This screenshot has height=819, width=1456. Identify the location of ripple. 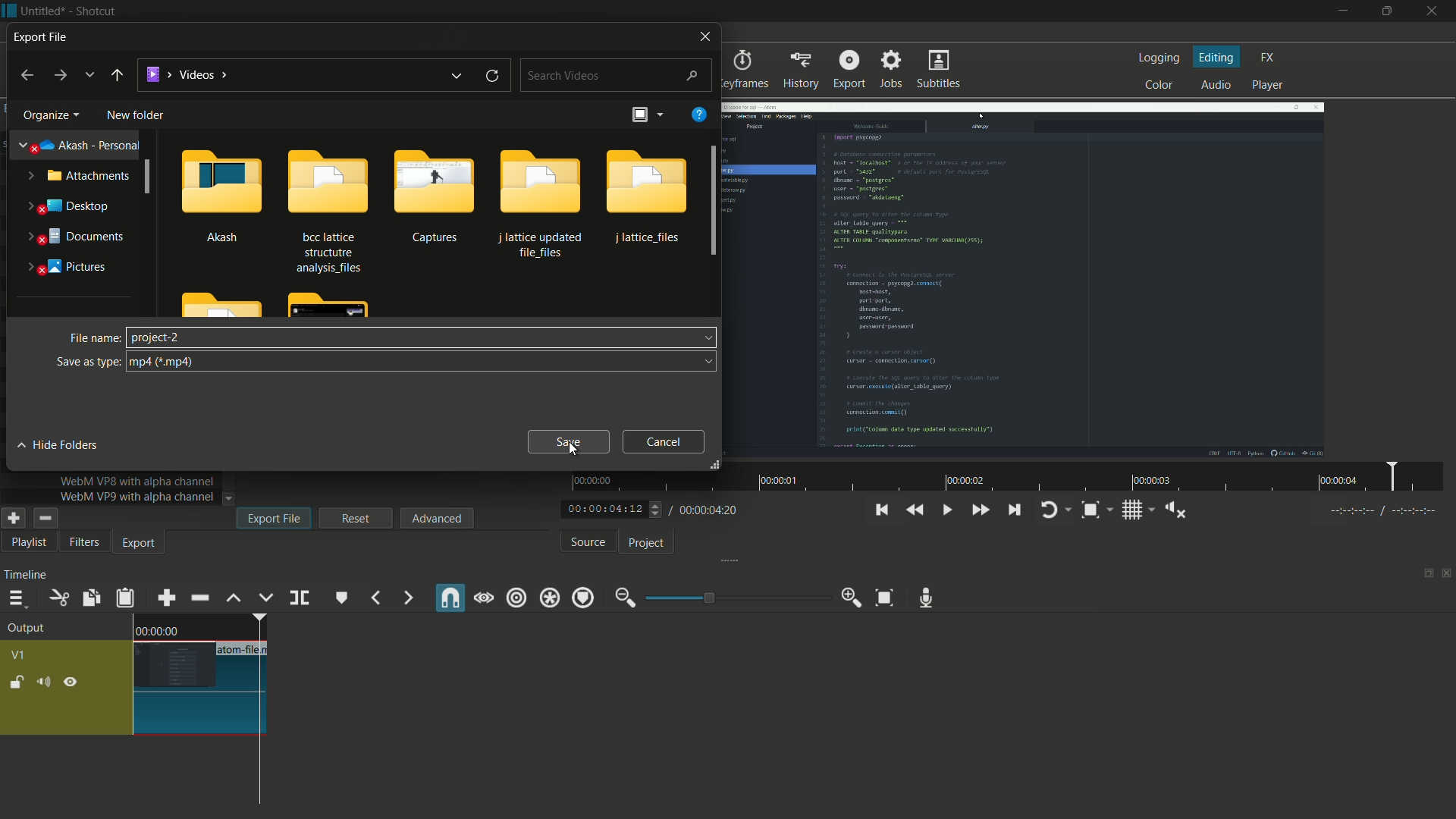
(516, 598).